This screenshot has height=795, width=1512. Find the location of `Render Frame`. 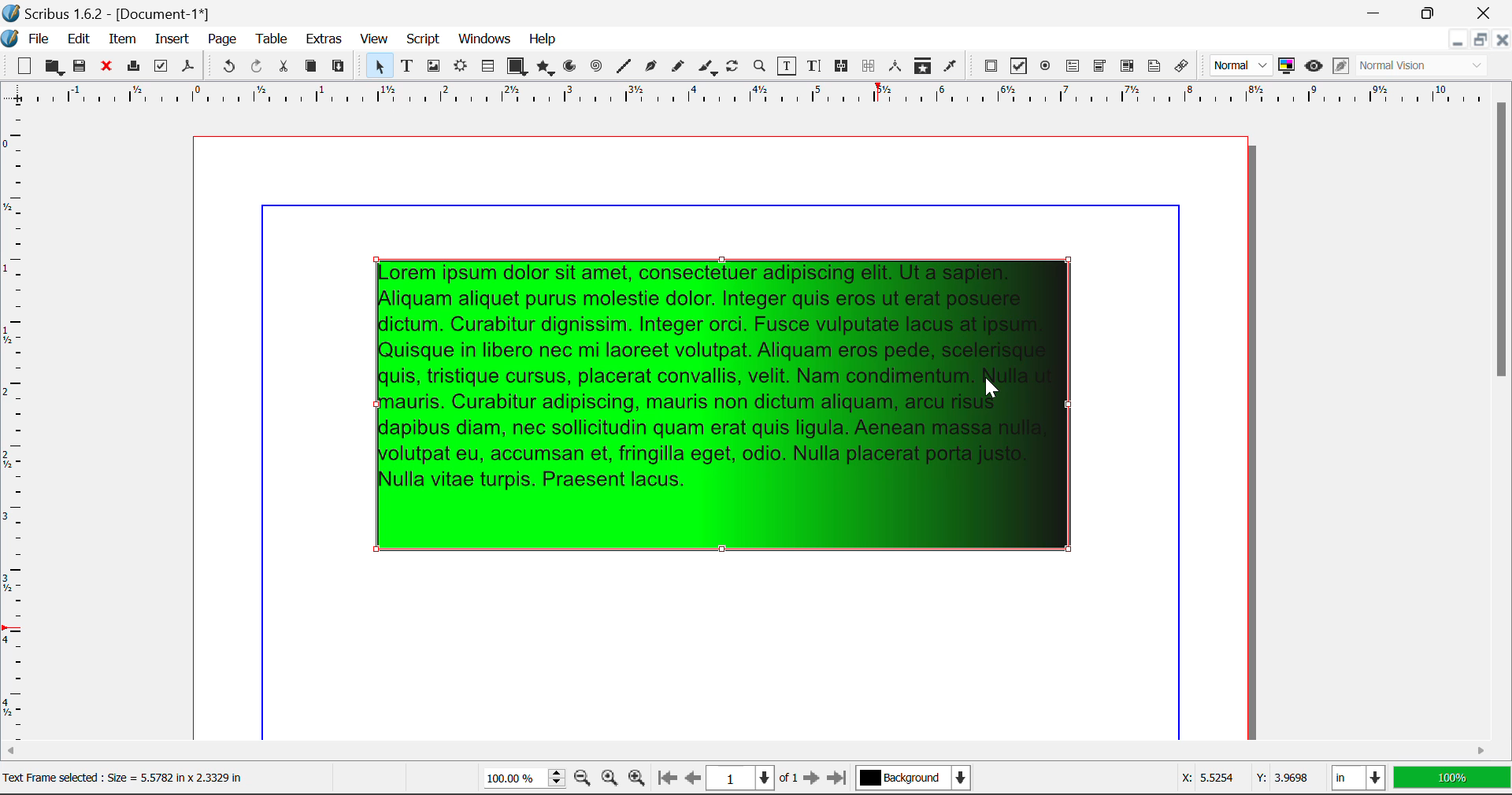

Render Frame is located at coordinates (460, 68).